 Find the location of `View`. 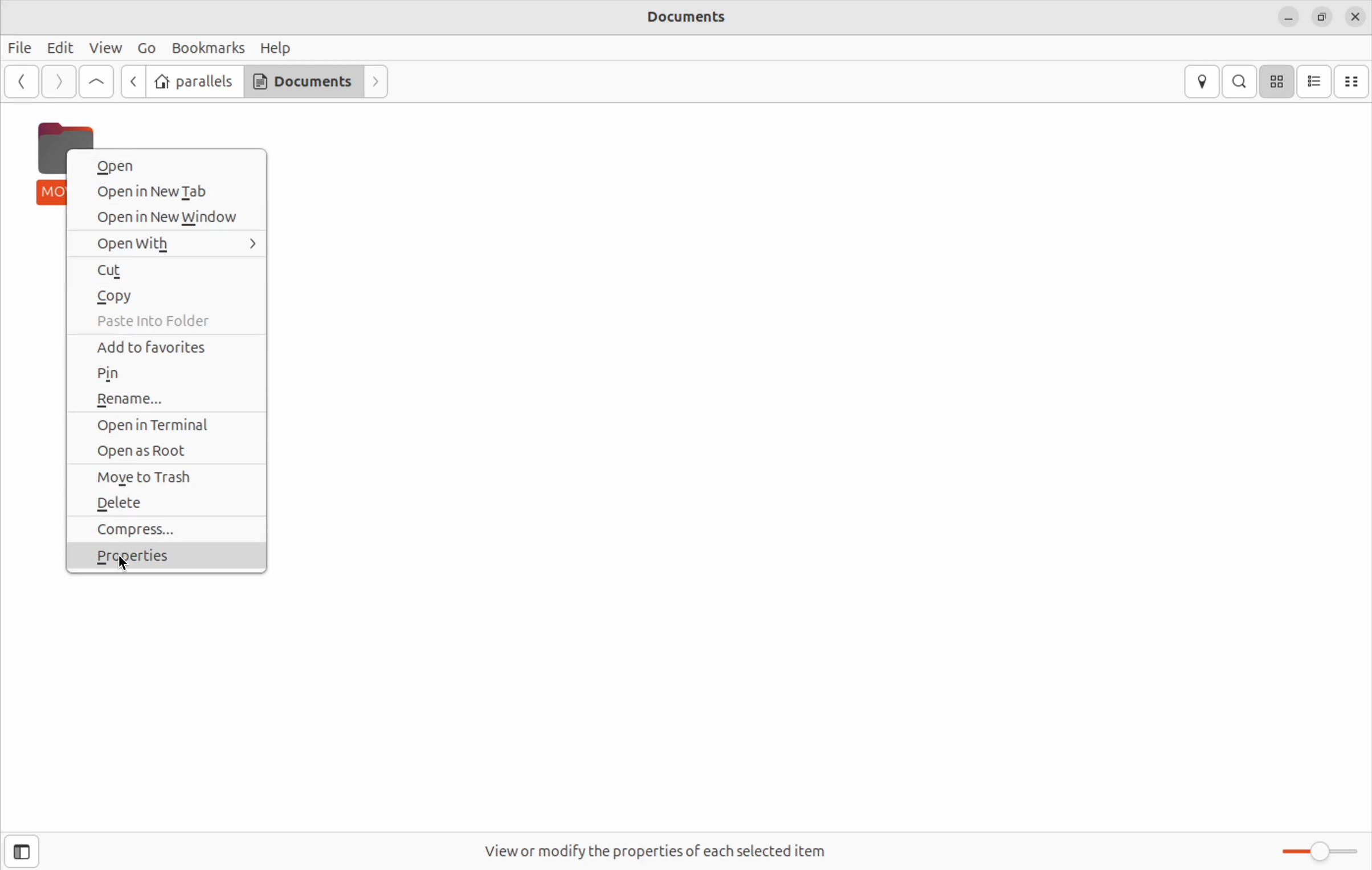

View is located at coordinates (107, 46).